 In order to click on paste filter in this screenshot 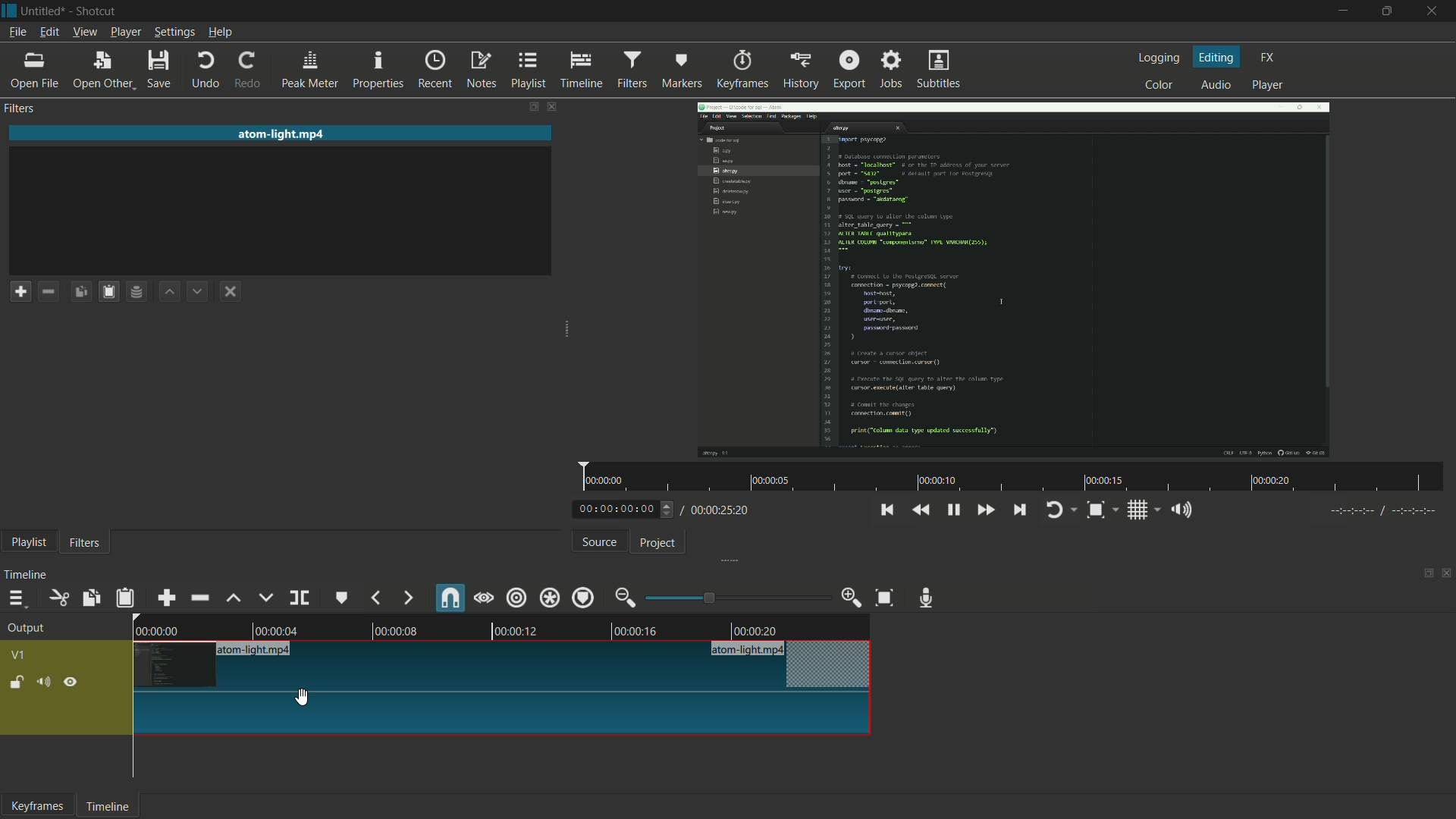, I will do `click(108, 292)`.